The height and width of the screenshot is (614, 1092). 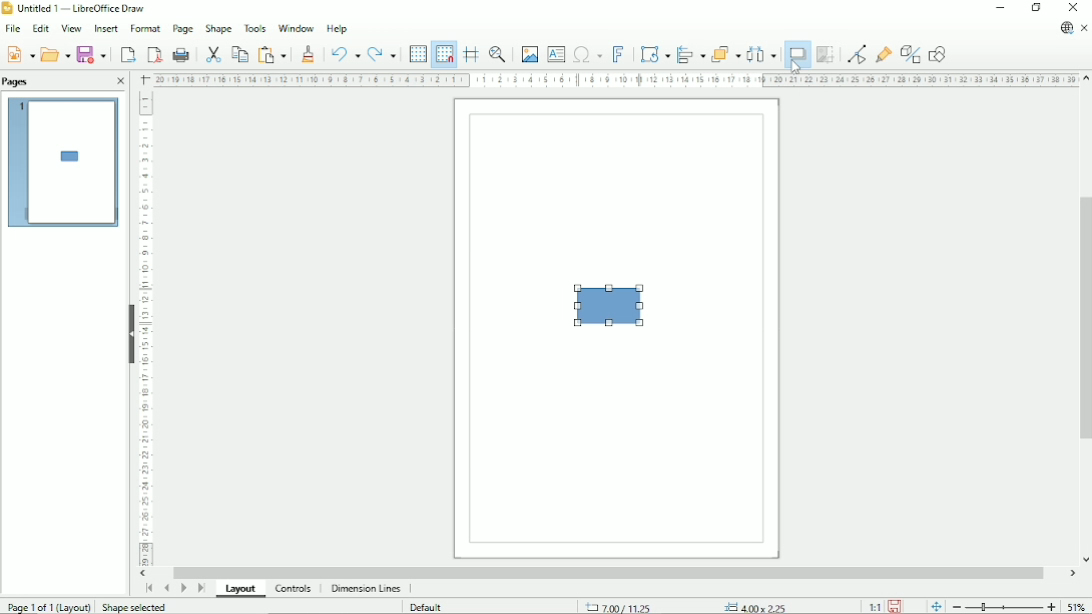 I want to click on Toggle extrusion, so click(x=910, y=55).